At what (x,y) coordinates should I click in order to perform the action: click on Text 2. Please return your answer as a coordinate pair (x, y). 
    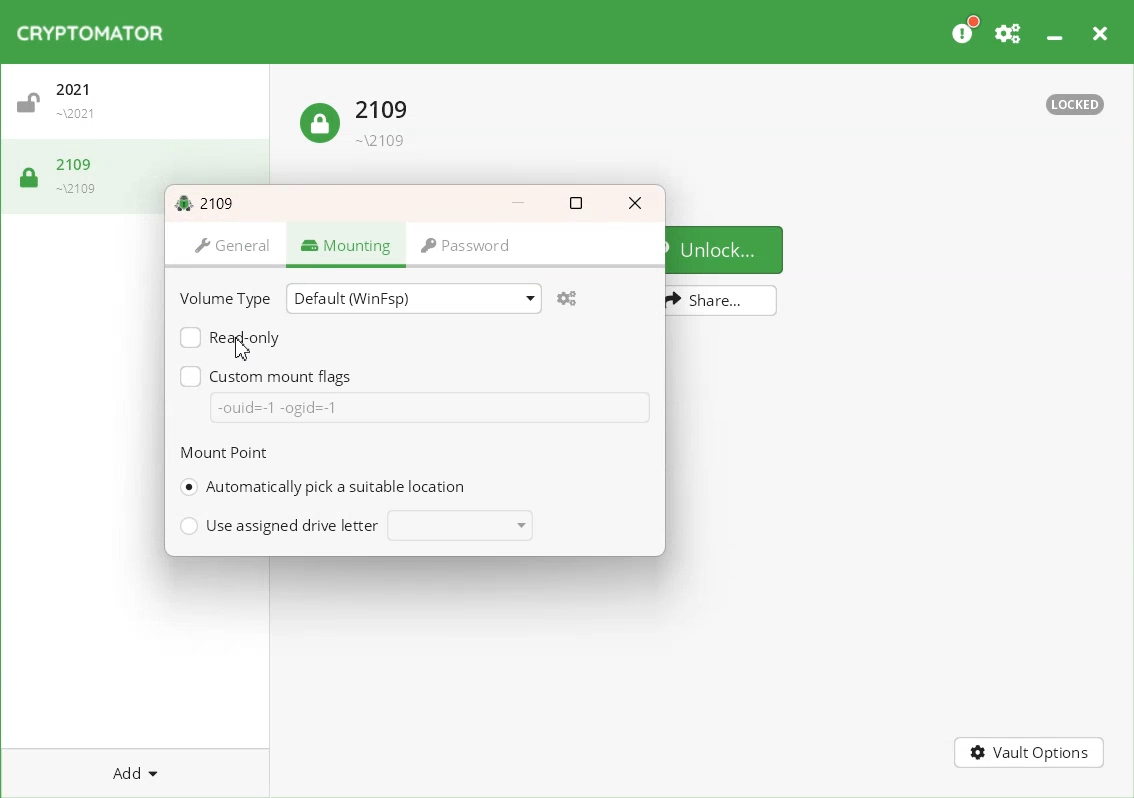
    Looking at the image, I should click on (224, 453).